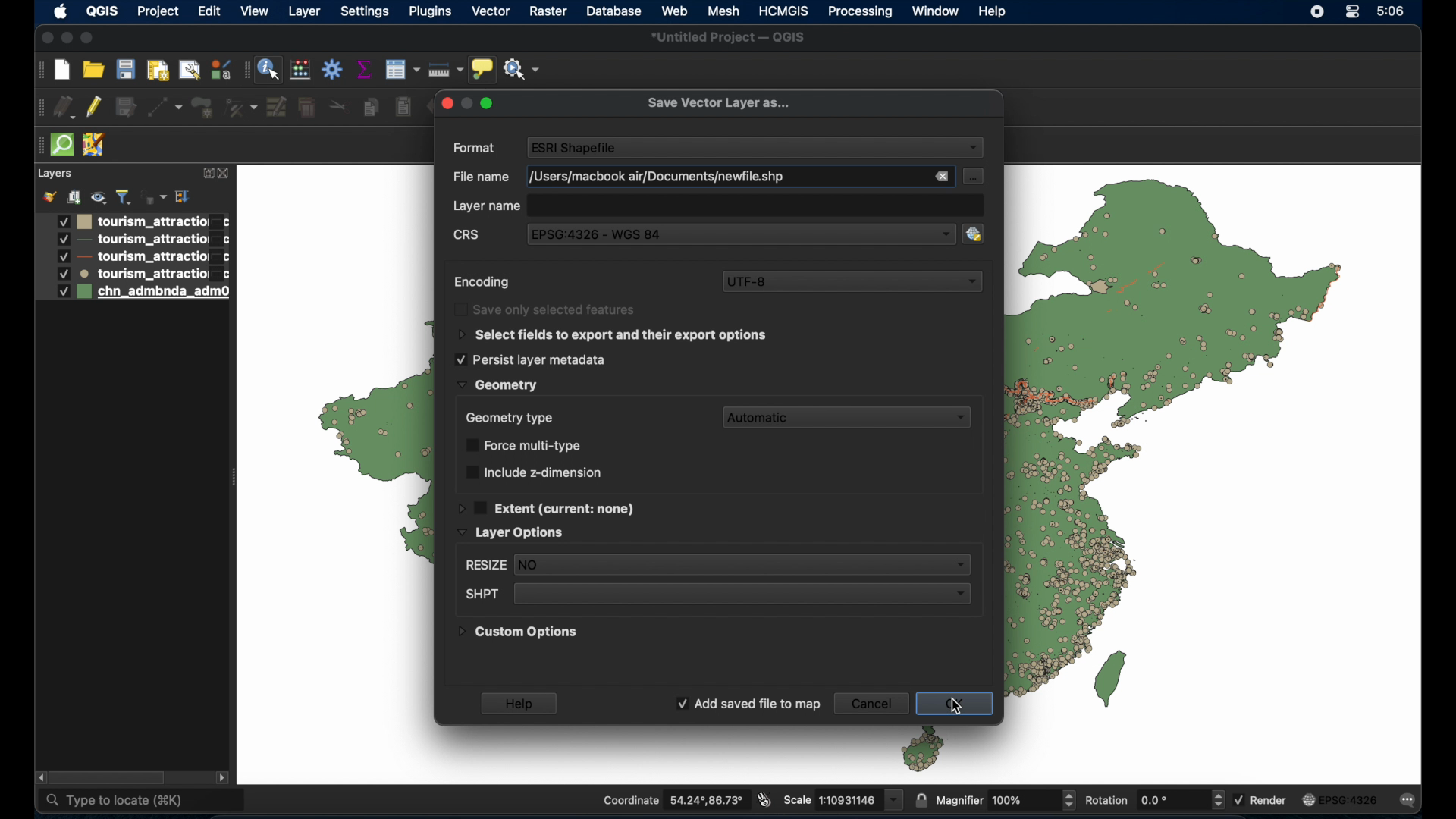 The height and width of the screenshot is (819, 1456). I want to click on filename, so click(477, 177).